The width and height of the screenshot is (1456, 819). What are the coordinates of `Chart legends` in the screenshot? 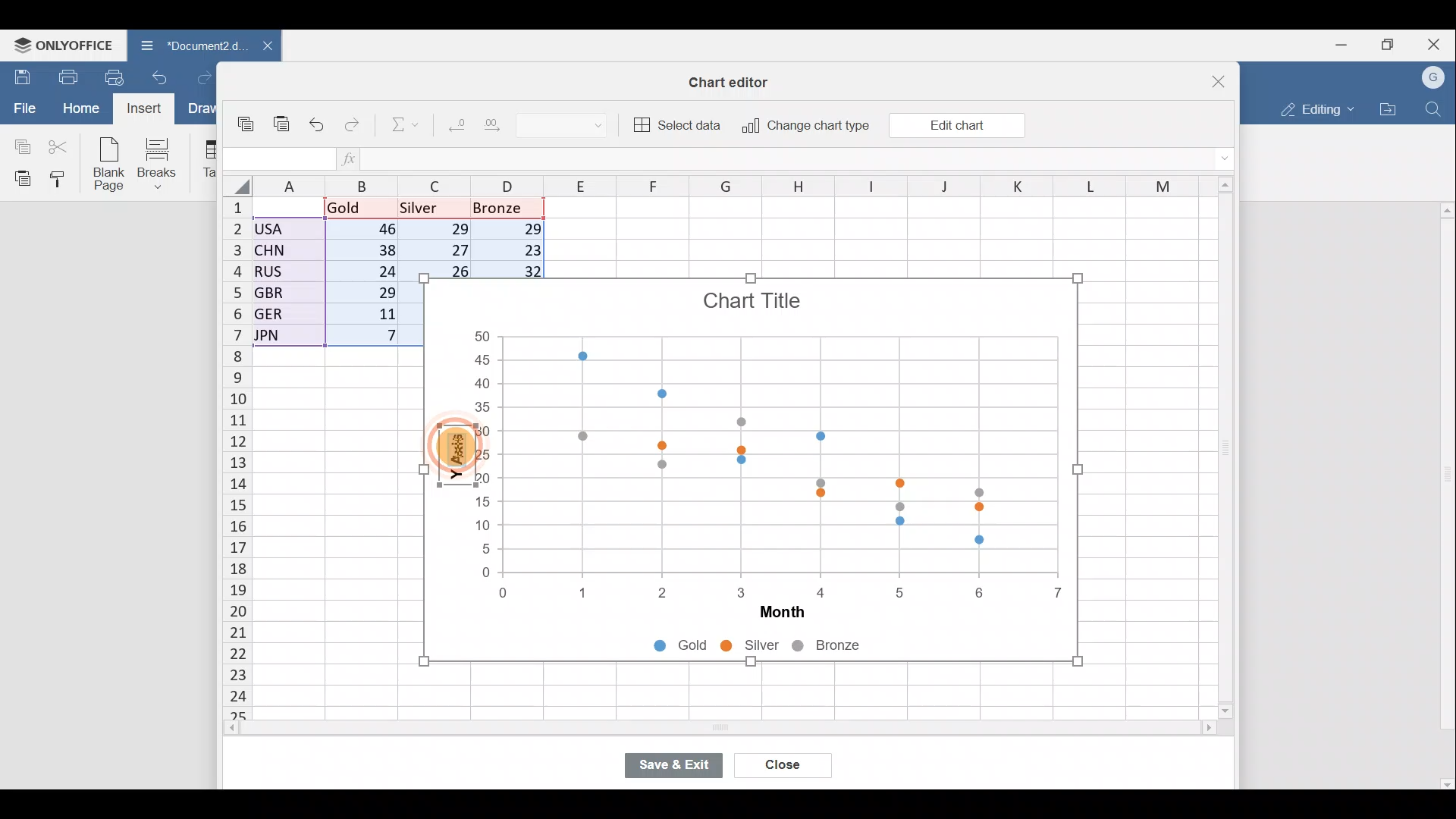 It's located at (781, 648).